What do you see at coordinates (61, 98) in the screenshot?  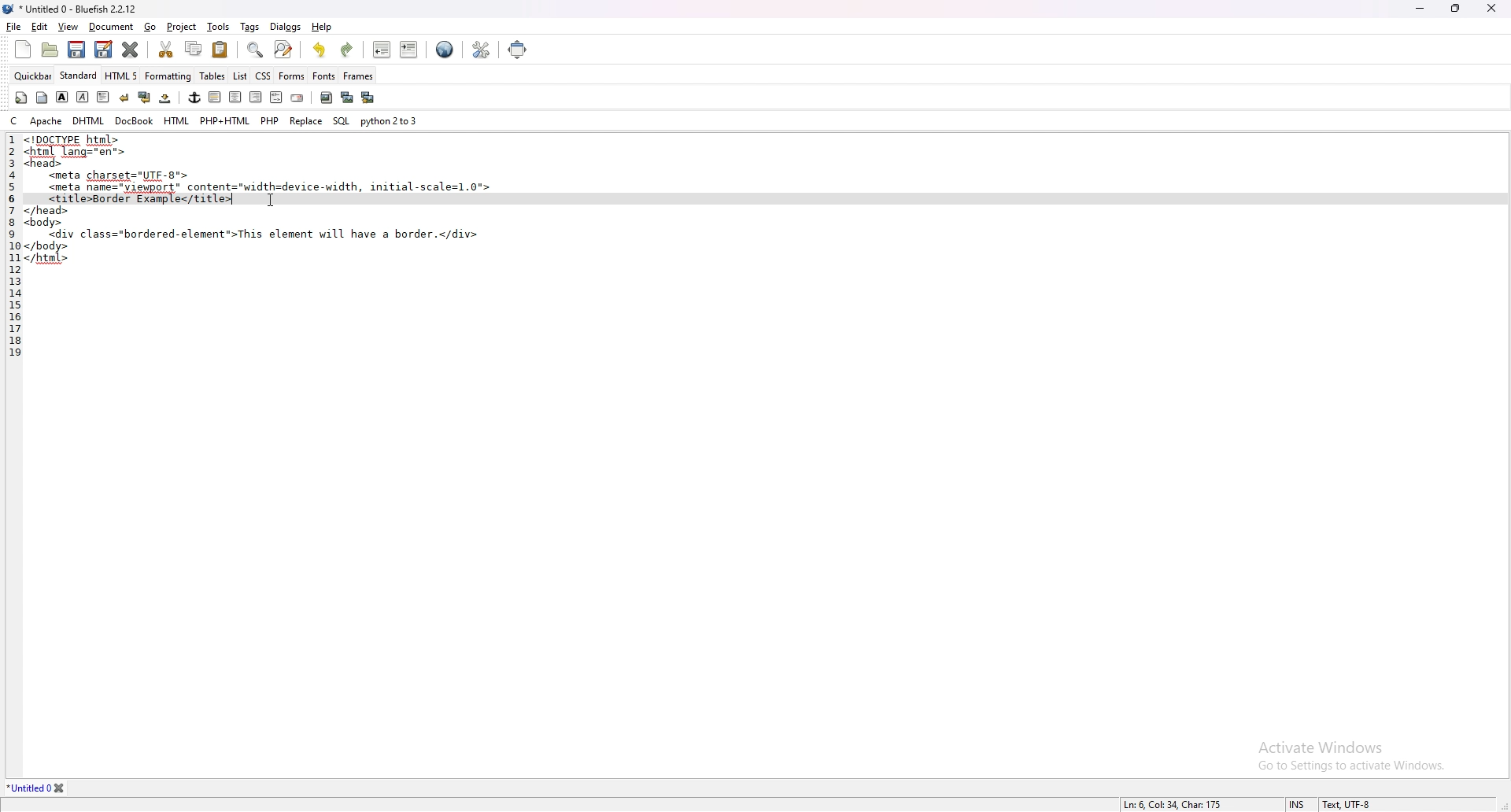 I see `bold` at bounding box center [61, 98].